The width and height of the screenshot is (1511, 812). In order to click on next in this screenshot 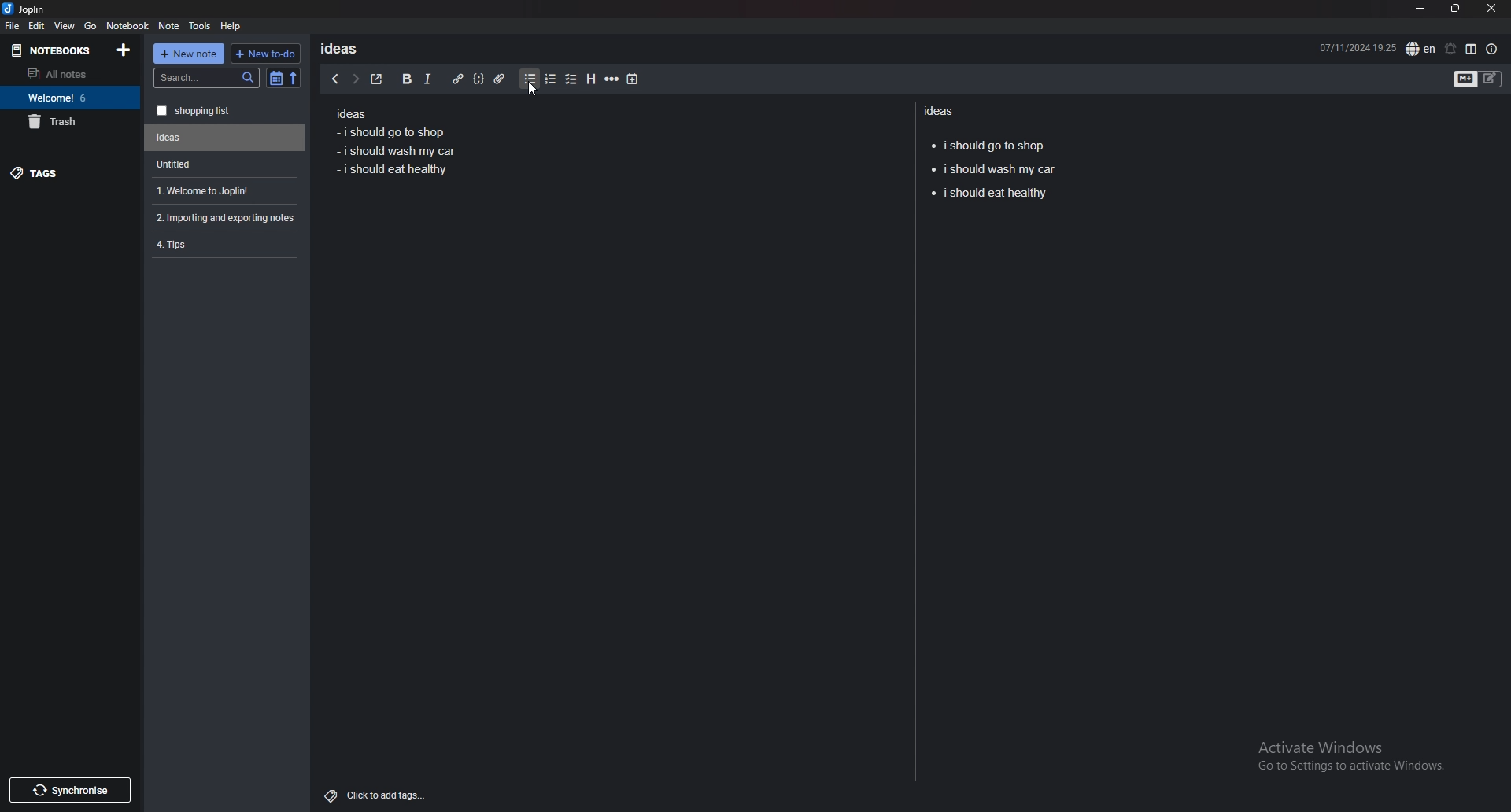, I will do `click(355, 79)`.